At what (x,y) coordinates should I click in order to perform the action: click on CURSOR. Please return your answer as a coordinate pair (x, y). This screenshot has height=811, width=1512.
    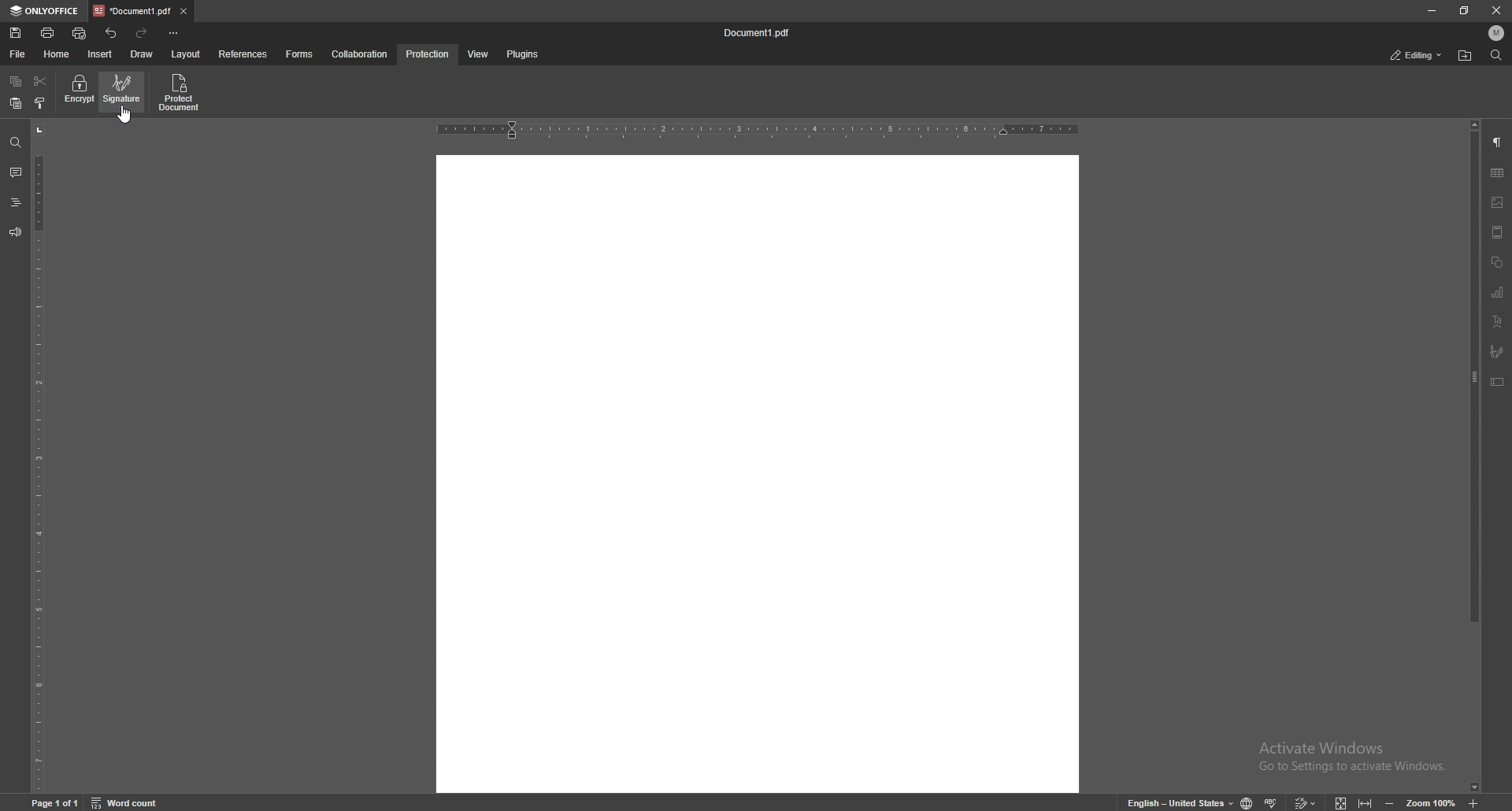
    Looking at the image, I should click on (127, 118).